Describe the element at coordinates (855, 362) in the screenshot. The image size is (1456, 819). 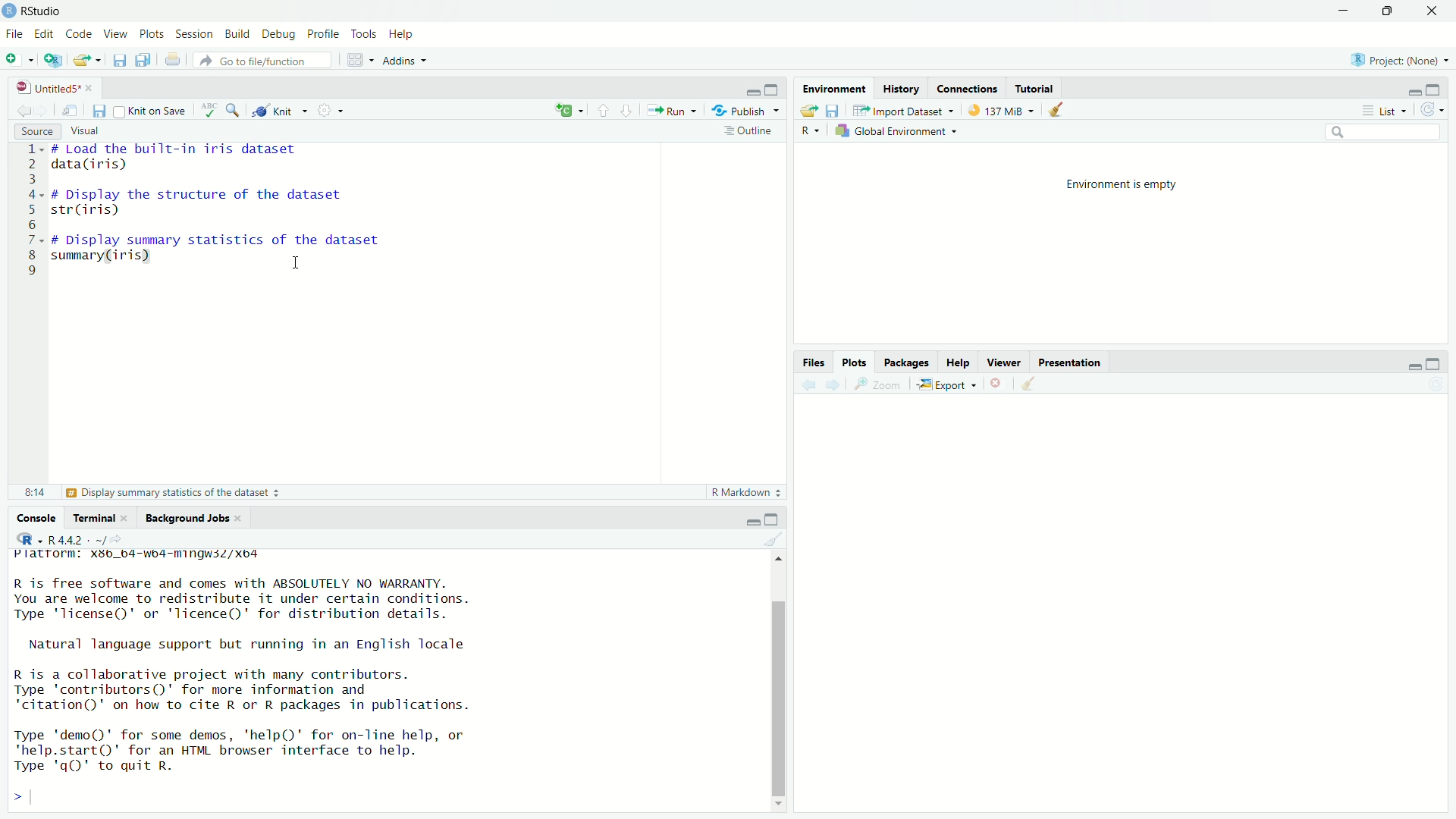
I see `Plots` at that location.